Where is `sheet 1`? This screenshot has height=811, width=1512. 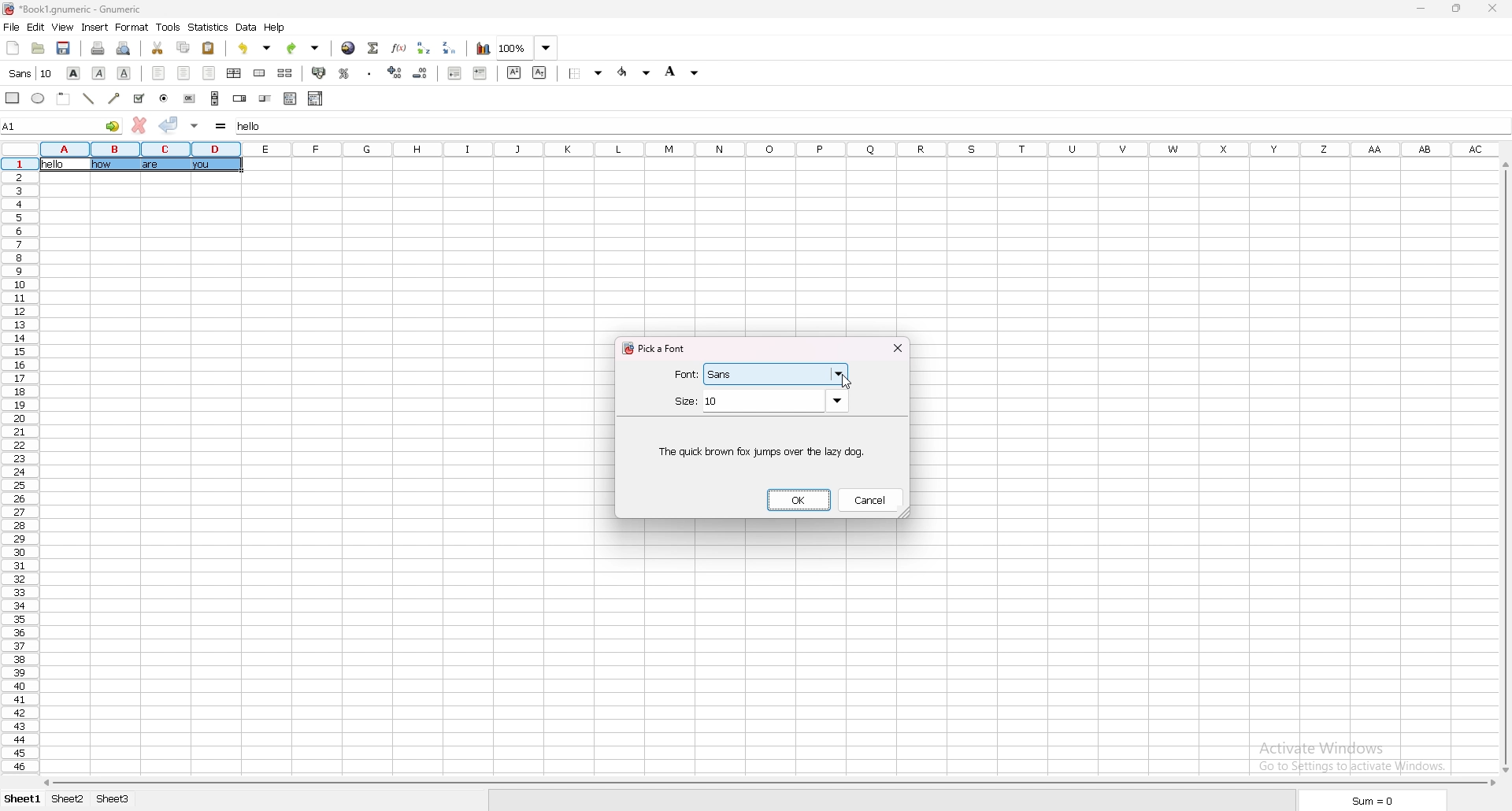
sheet 1 is located at coordinates (21, 801).